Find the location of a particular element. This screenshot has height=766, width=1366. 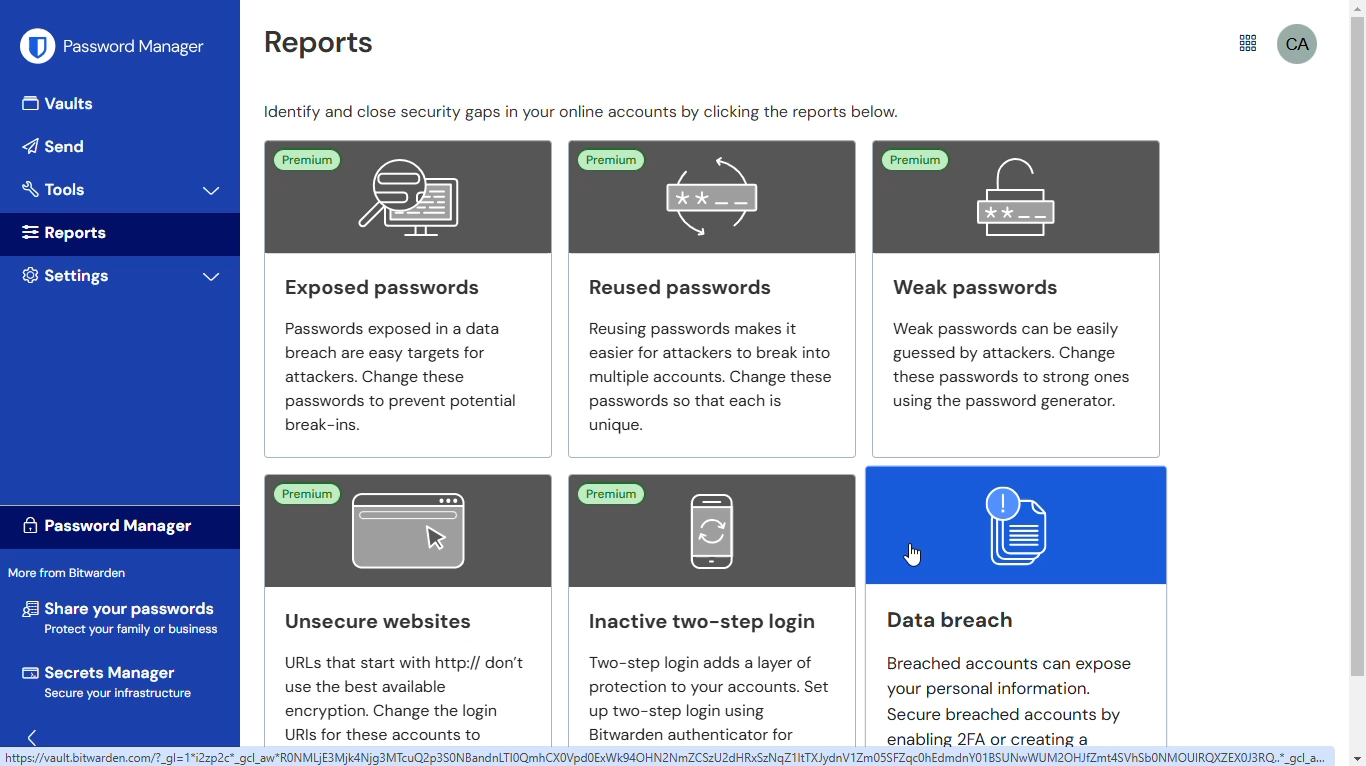

toggle hide/show is located at coordinates (37, 736).